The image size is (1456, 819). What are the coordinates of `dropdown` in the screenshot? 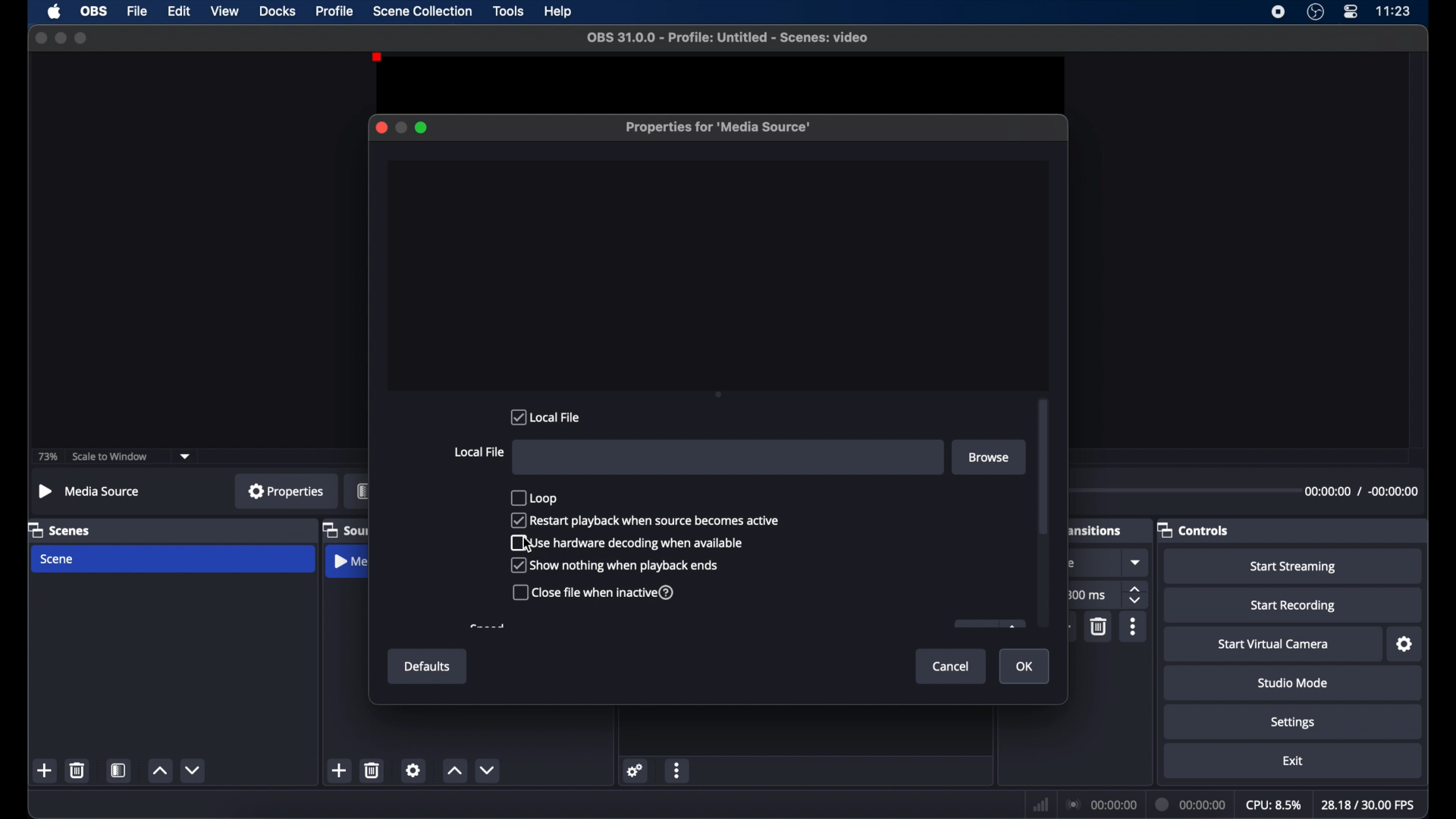 It's located at (185, 457).